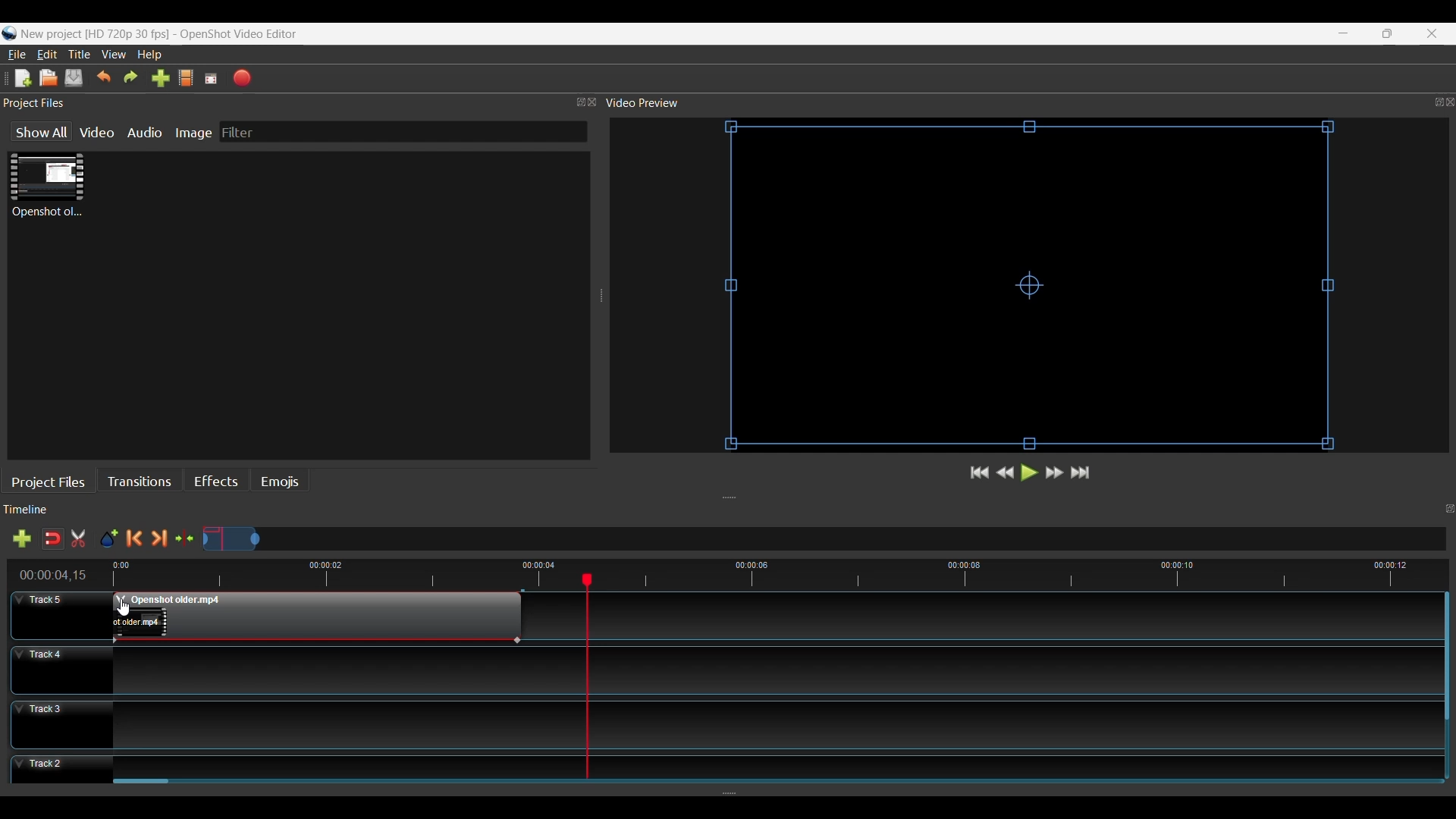  I want to click on Track Header, so click(60, 668).